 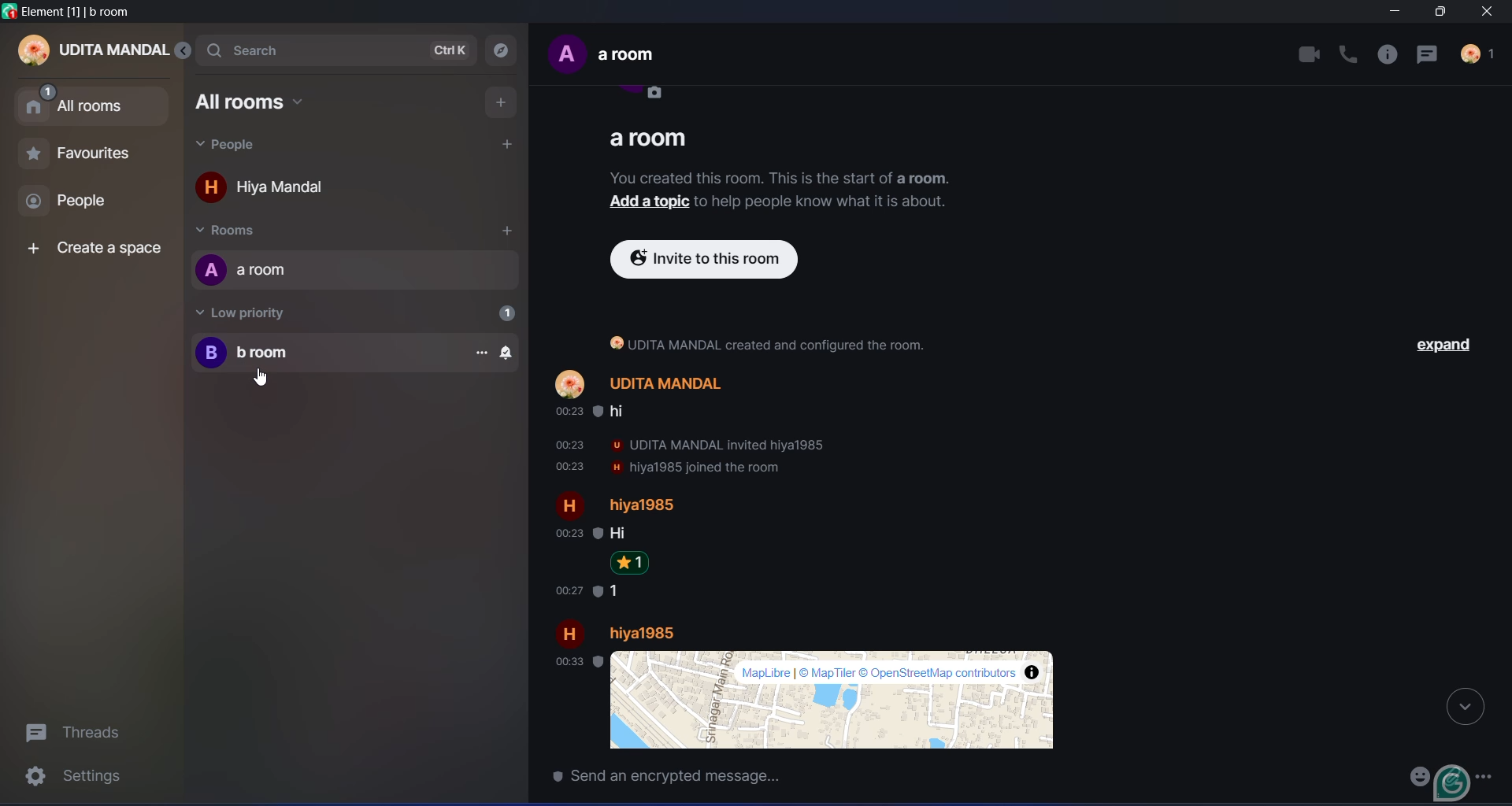 I want to click on Video Call, so click(x=1309, y=54).